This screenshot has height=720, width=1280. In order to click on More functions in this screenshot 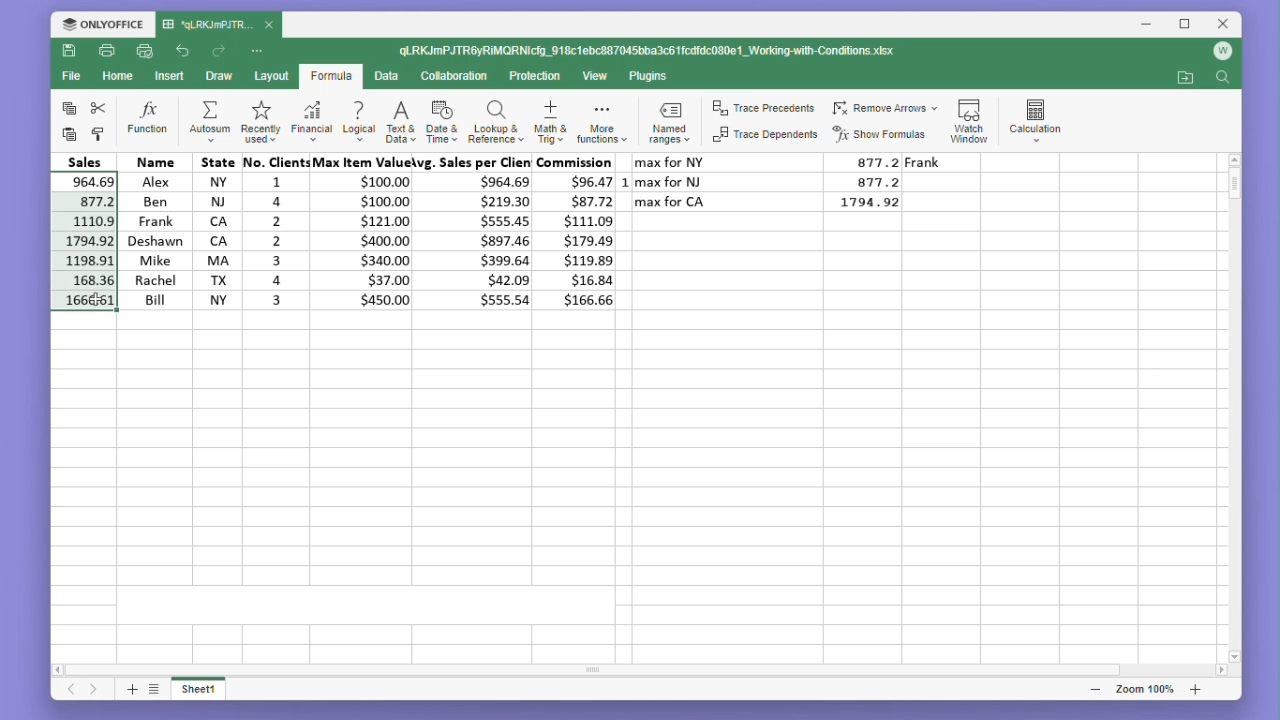, I will do `click(604, 120)`.